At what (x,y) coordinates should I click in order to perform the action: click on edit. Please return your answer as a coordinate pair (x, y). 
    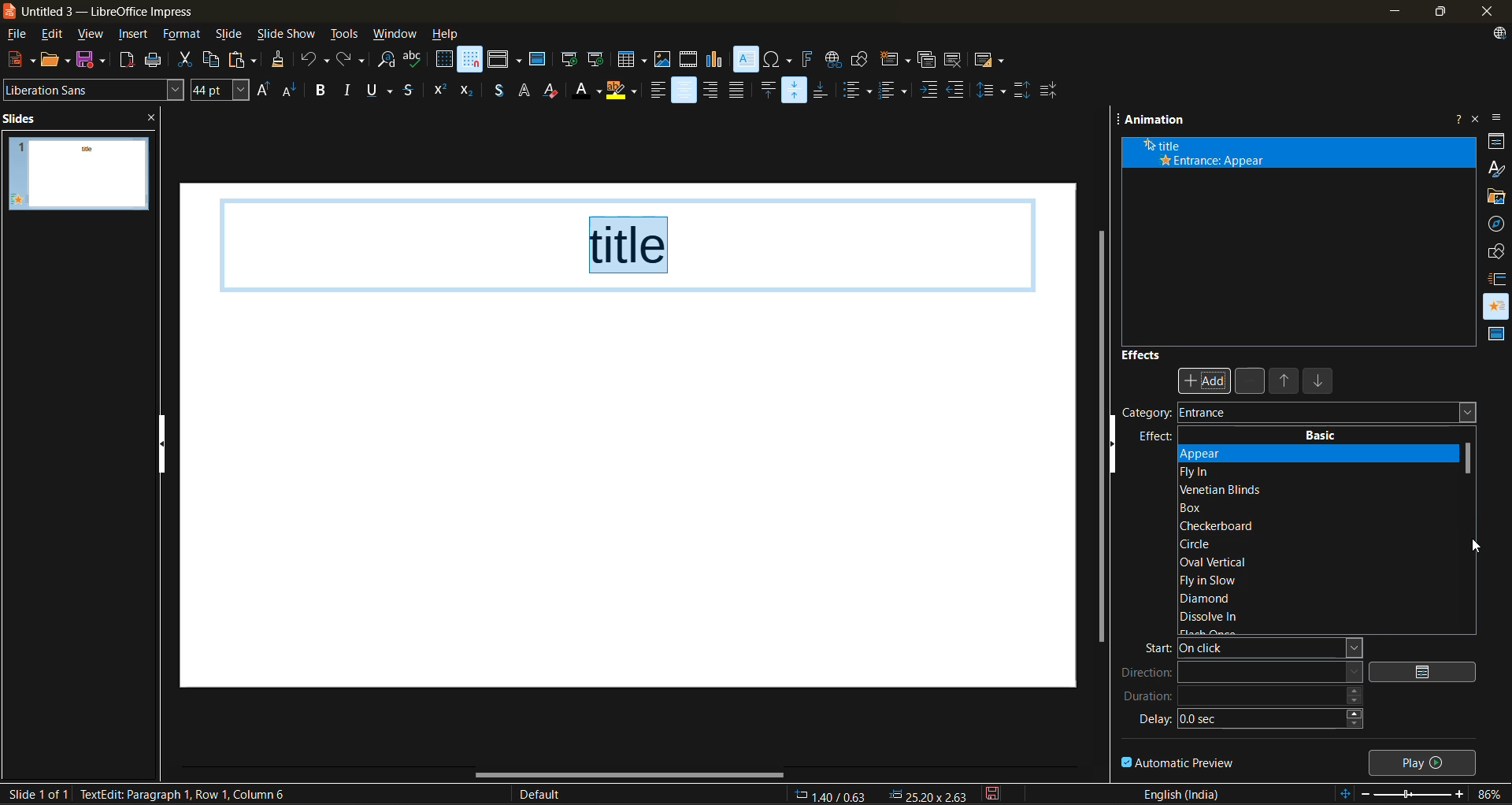
    Looking at the image, I should click on (55, 34).